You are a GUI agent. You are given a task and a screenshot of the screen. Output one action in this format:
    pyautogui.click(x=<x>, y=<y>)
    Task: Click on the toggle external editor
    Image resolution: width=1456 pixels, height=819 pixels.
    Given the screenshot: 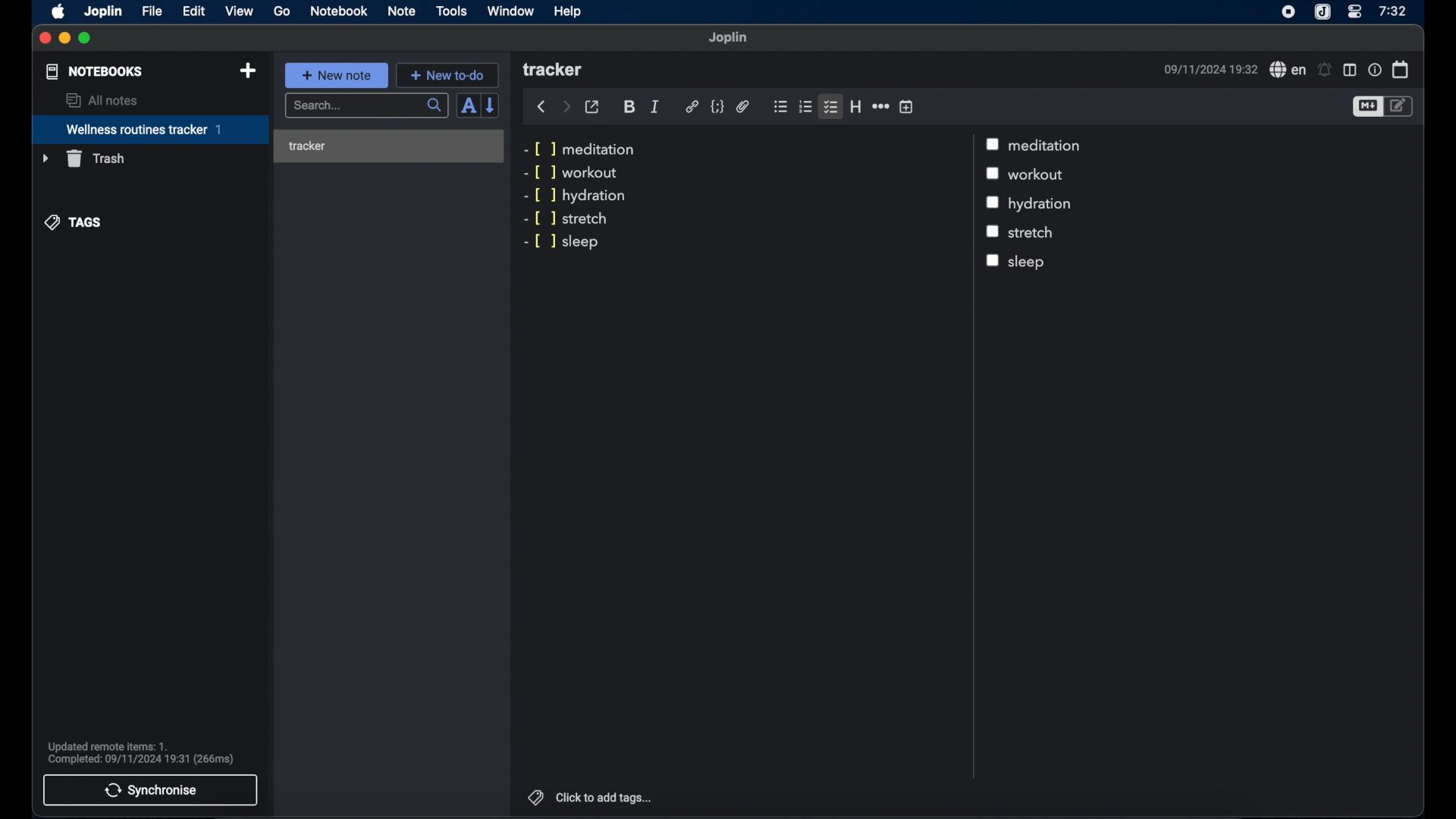 What is the action you would take?
    pyautogui.click(x=592, y=106)
    